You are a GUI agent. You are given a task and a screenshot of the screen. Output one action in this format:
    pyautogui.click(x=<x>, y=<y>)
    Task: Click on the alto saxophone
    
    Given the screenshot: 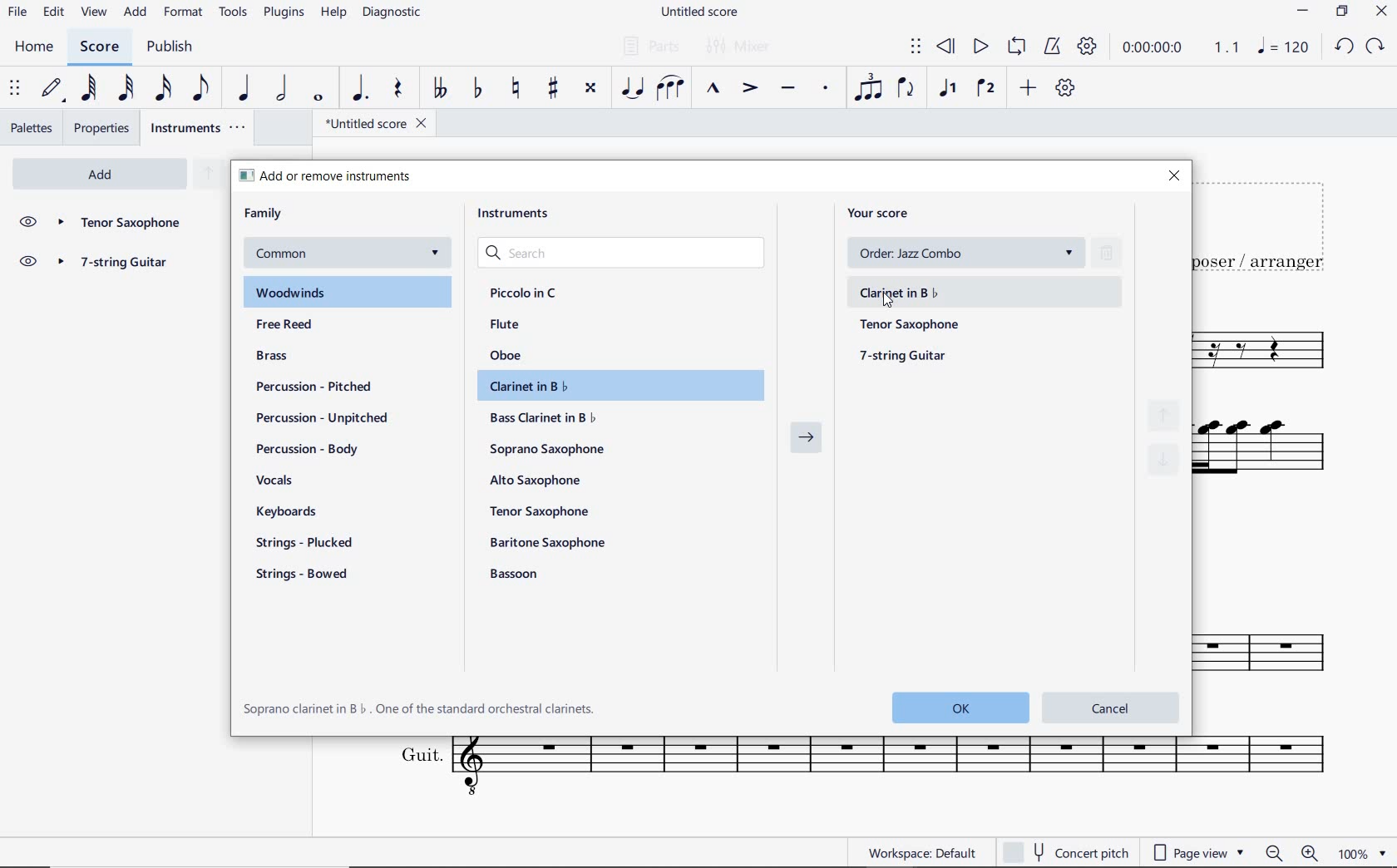 What is the action you would take?
    pyautogui.click(x=539, y=481)
    